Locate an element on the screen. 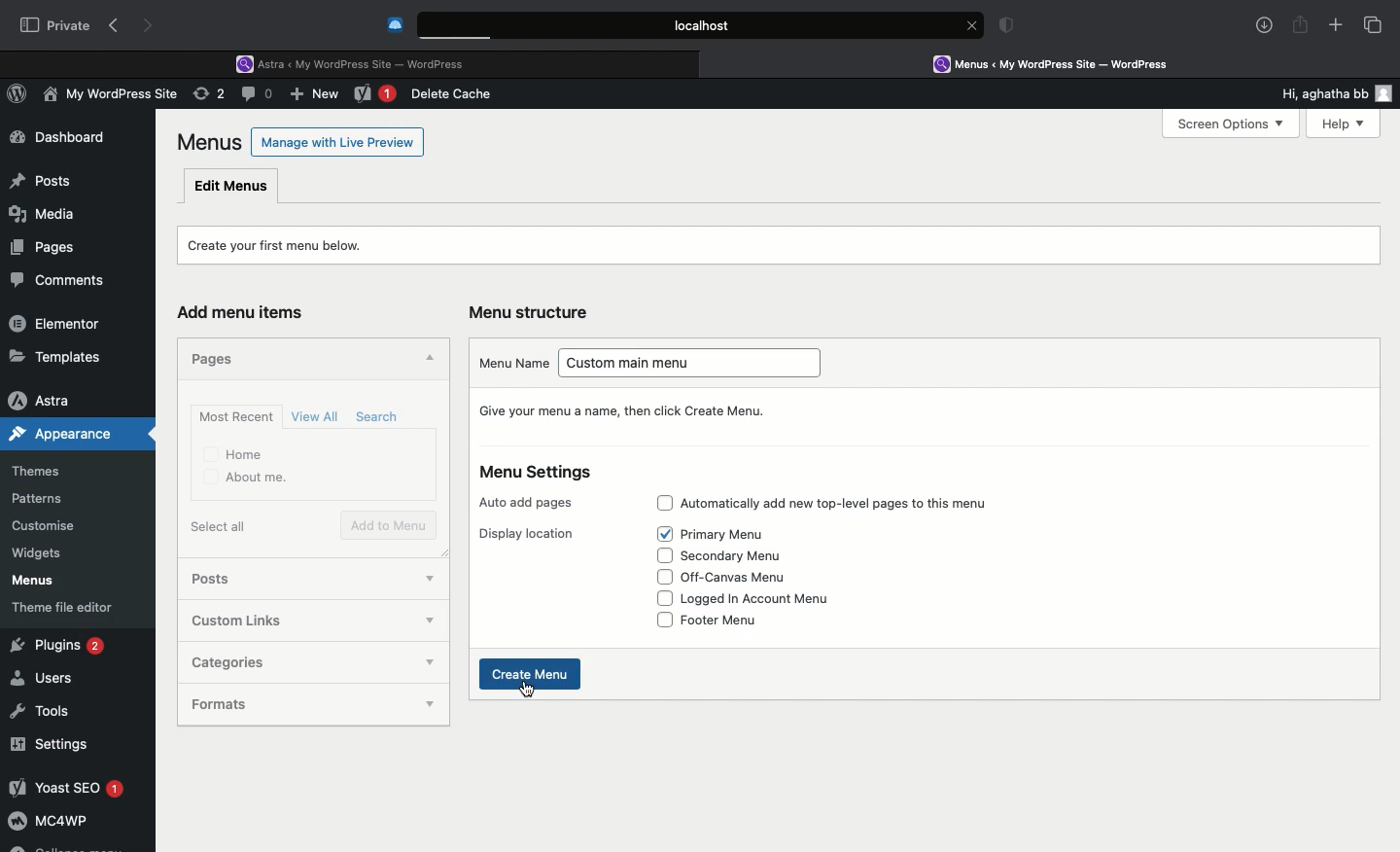 This screenshot has height=852, width=1400. cursor is located at coordinates (527, 689).